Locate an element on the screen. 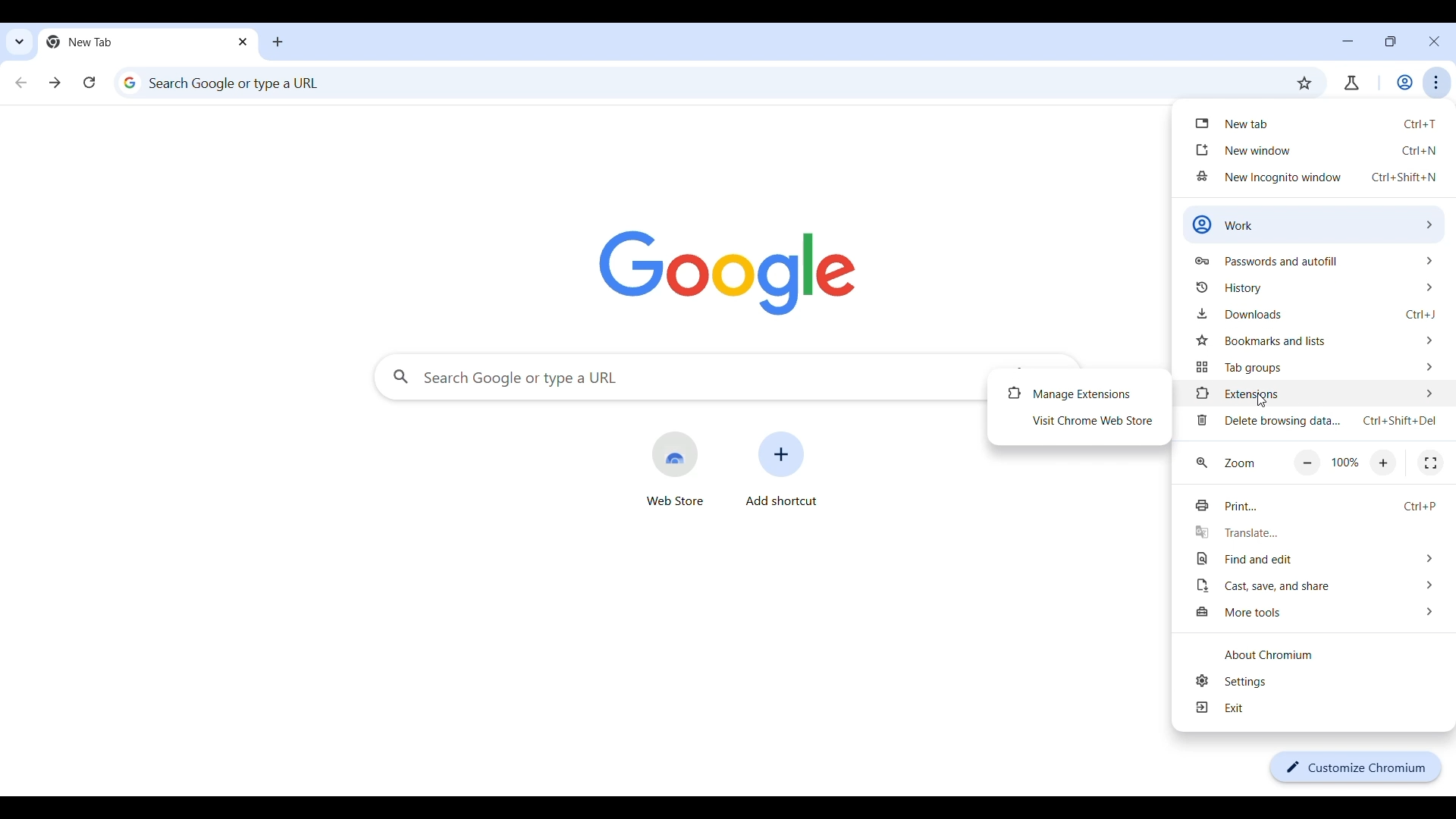 The height and width of the screenshot is (819, 1456). Open new tab is located at coordinates (1312, 122).